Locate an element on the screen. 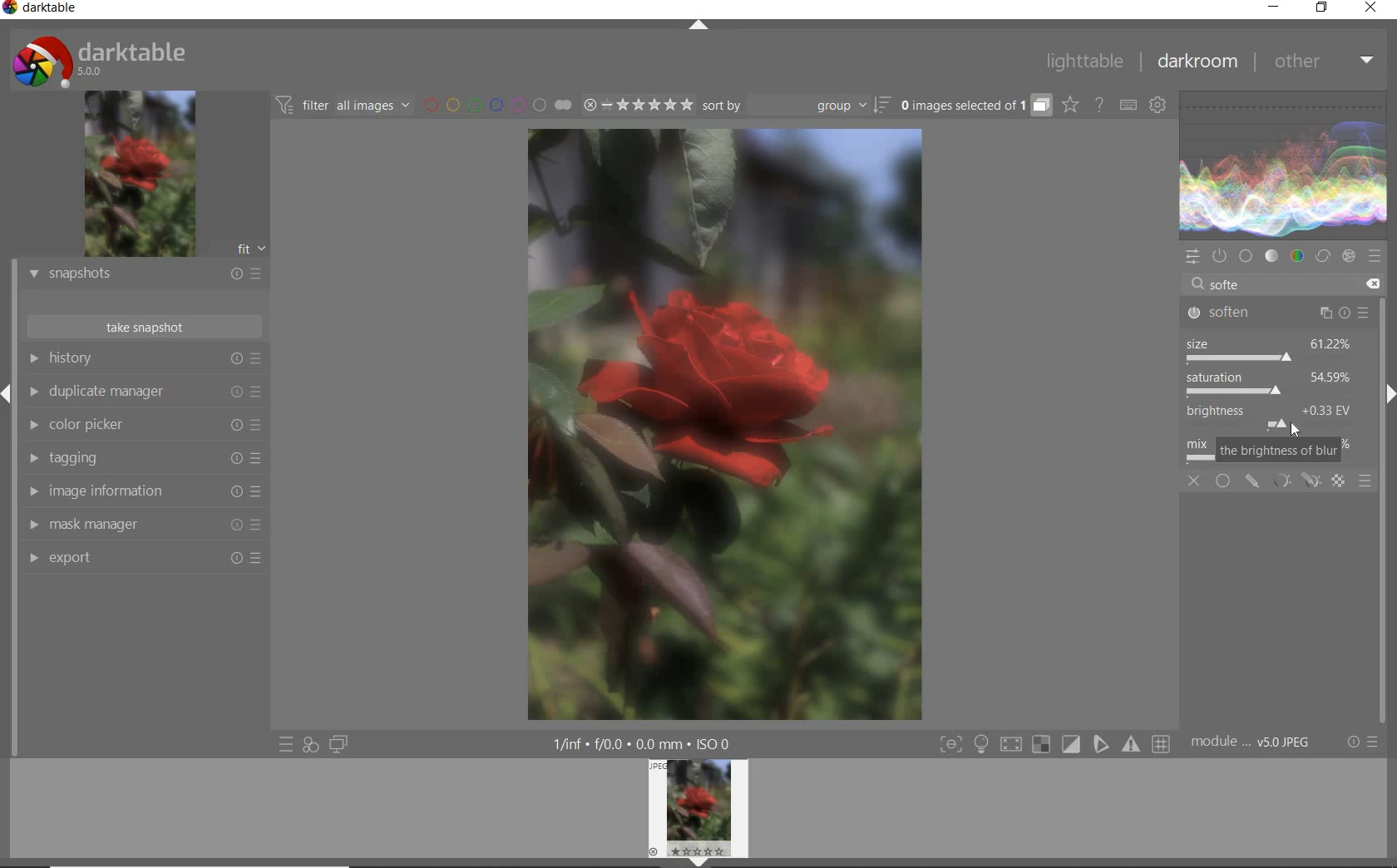 The image size is (1397, 868). search modules by name is located at coordinates (1268, 279).